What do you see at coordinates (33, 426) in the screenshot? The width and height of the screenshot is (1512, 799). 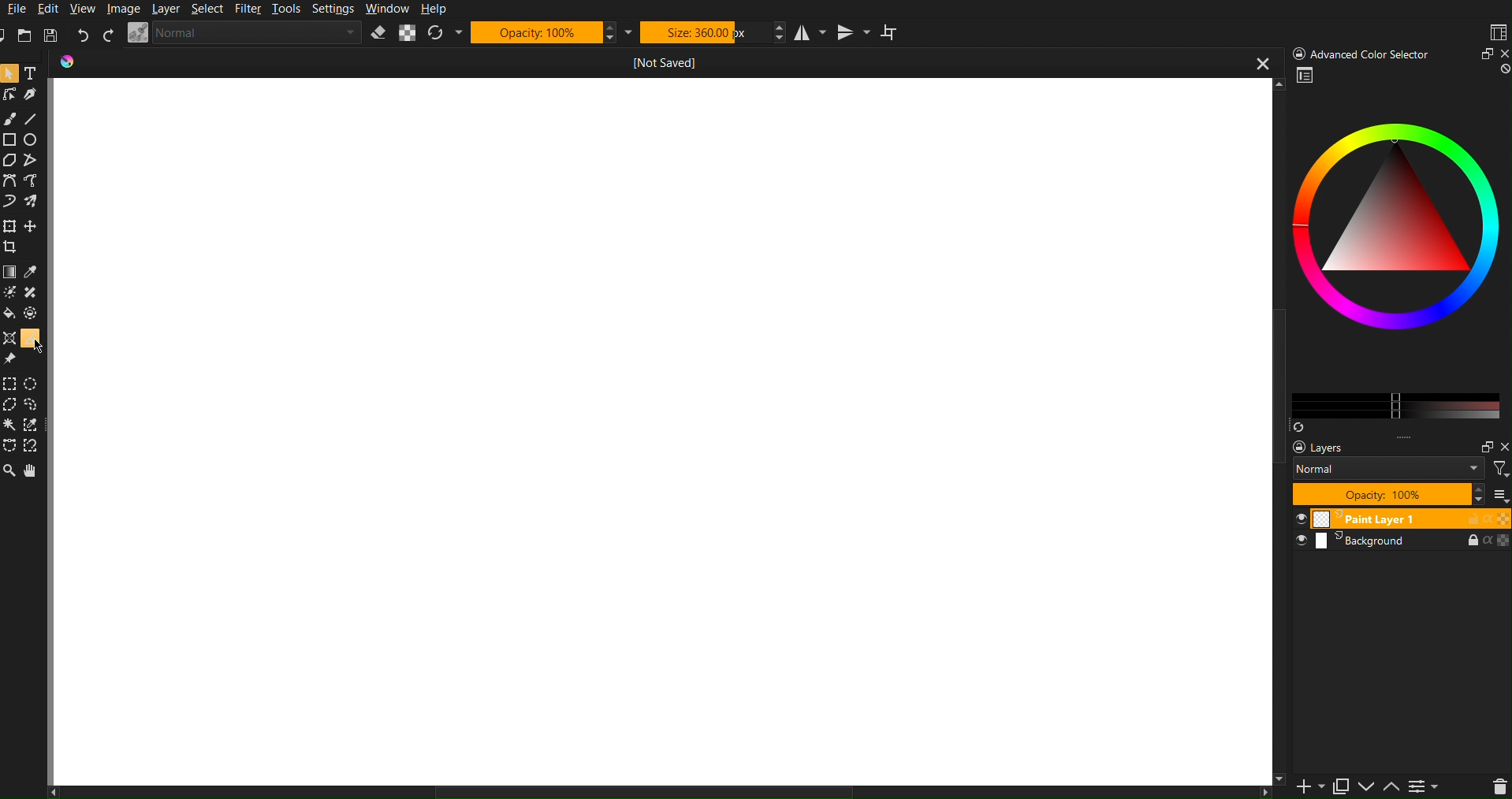 I see `Picker Marquee` at bounding box center [33, 426].